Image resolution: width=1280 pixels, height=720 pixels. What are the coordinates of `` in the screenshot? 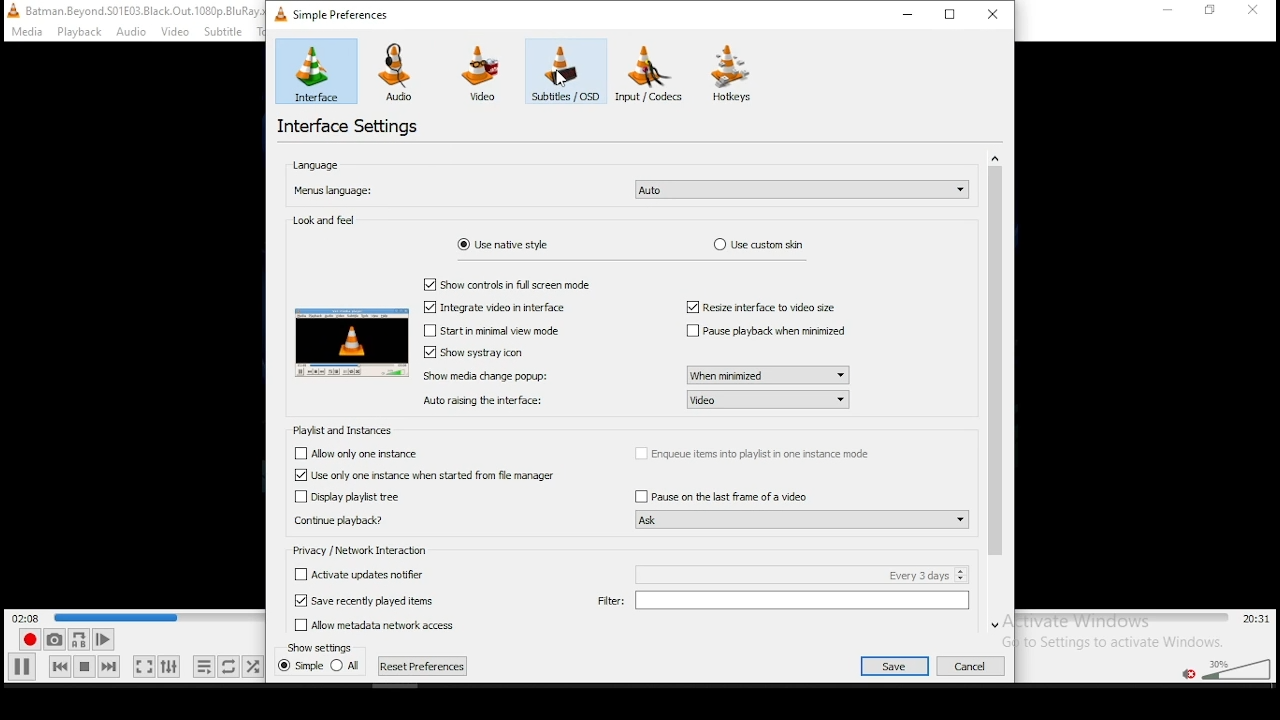 It's located at (486, 400).